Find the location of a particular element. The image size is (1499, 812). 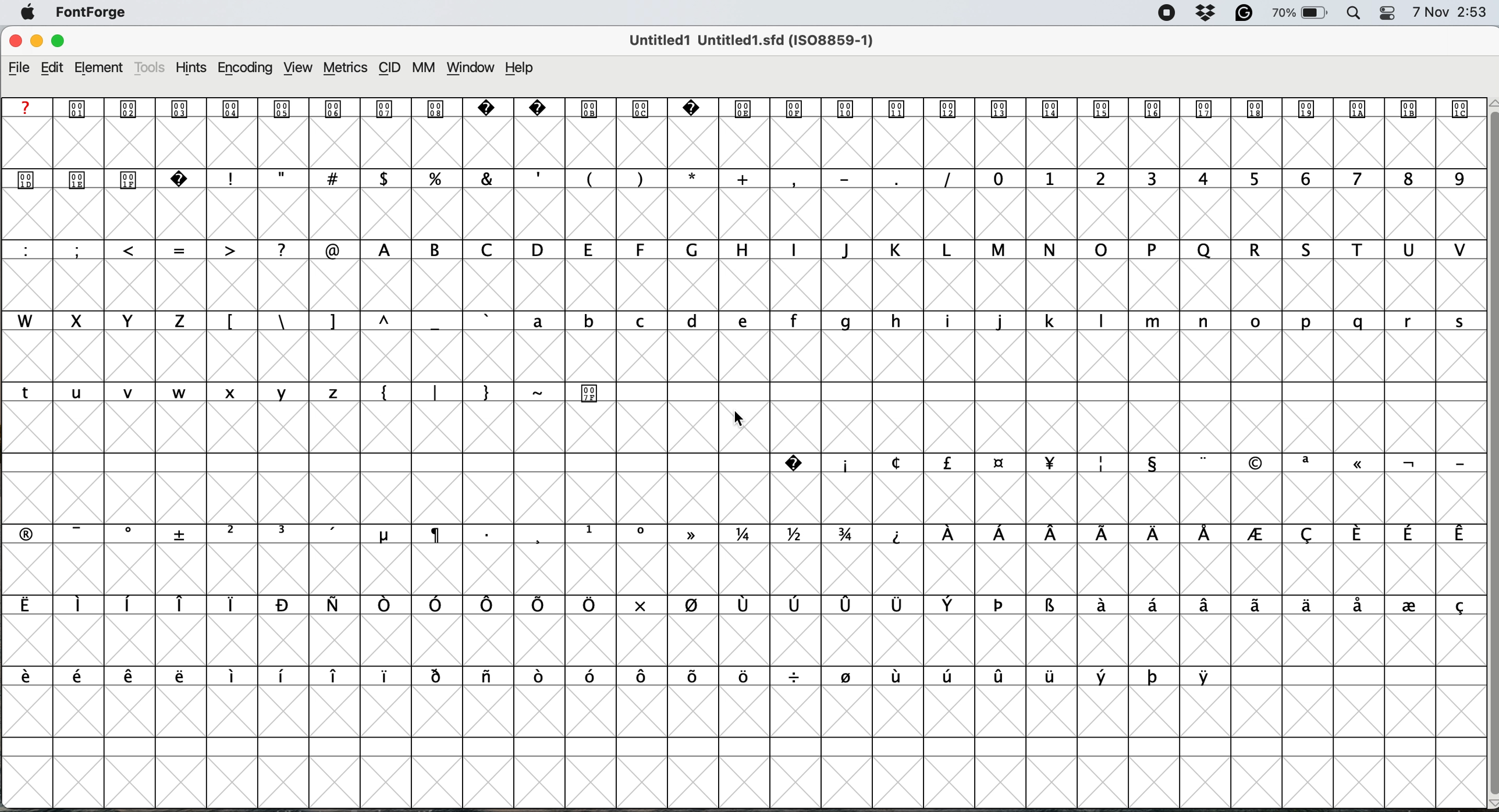

special icons is located at coordinates (740, 108).